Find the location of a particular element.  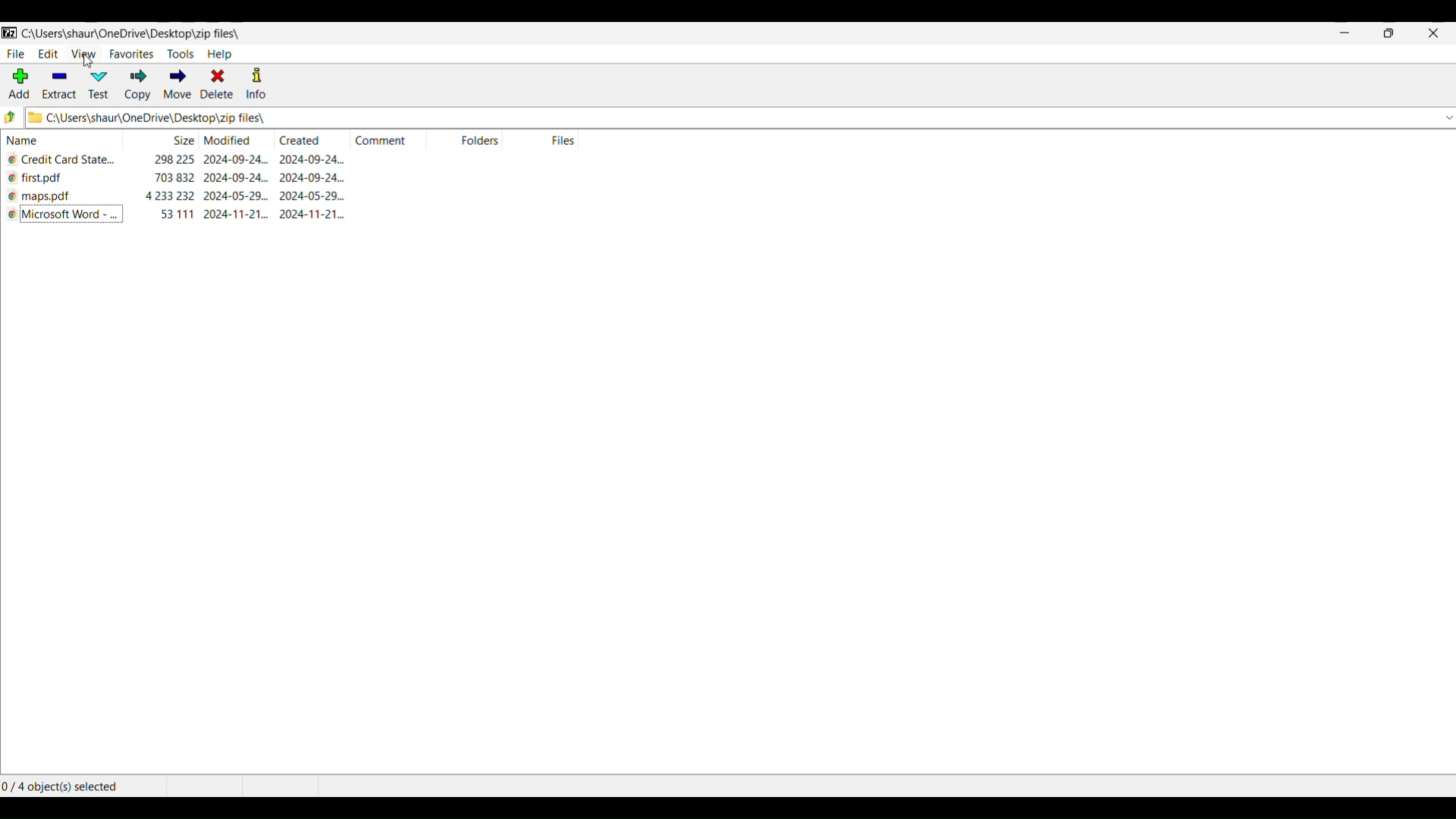

size of file is located at coordinates (178, 216).